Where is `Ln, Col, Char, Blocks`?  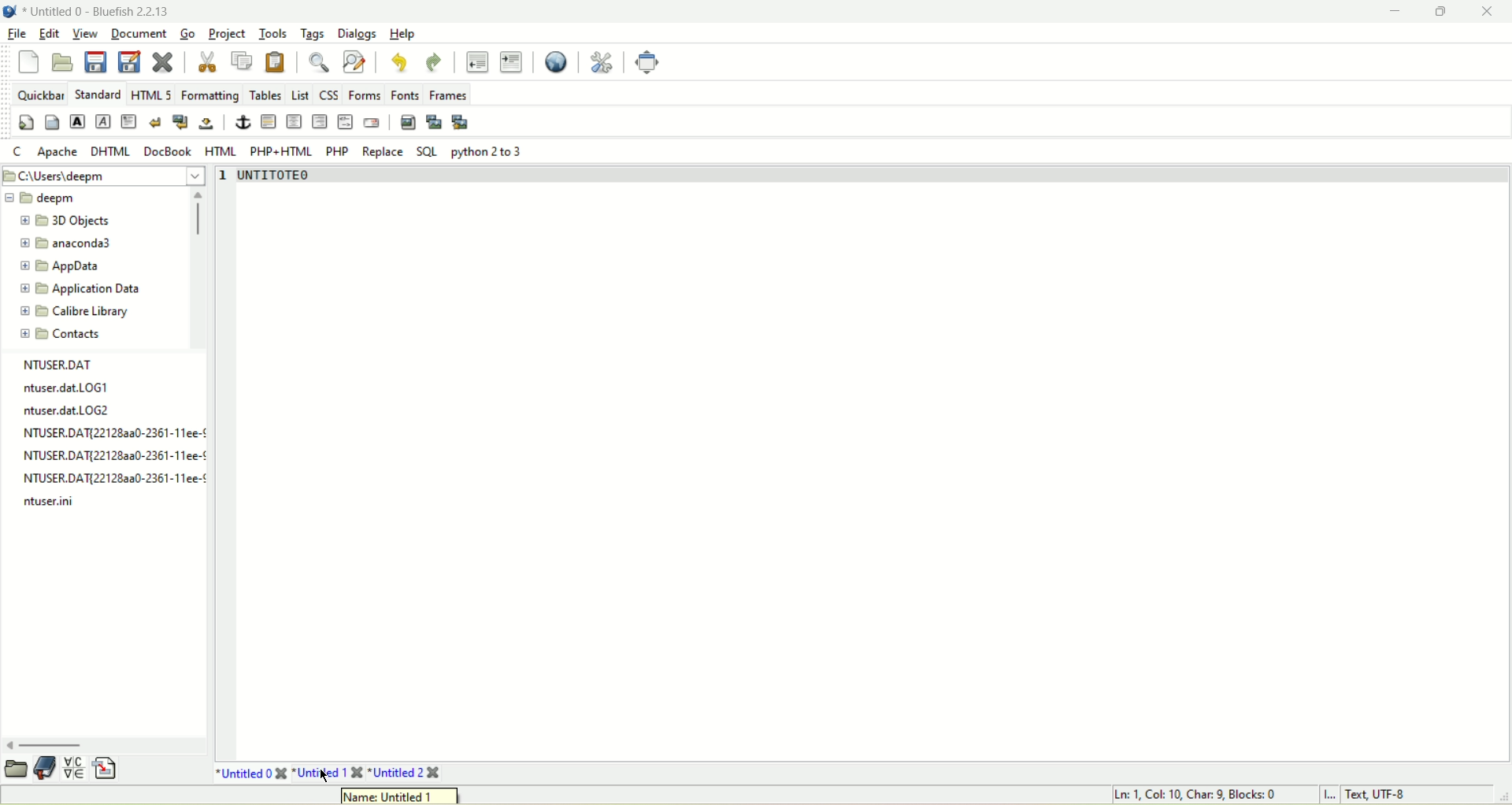 Ln, Col, Char, Blocks is located at coordinates (1195, 796).